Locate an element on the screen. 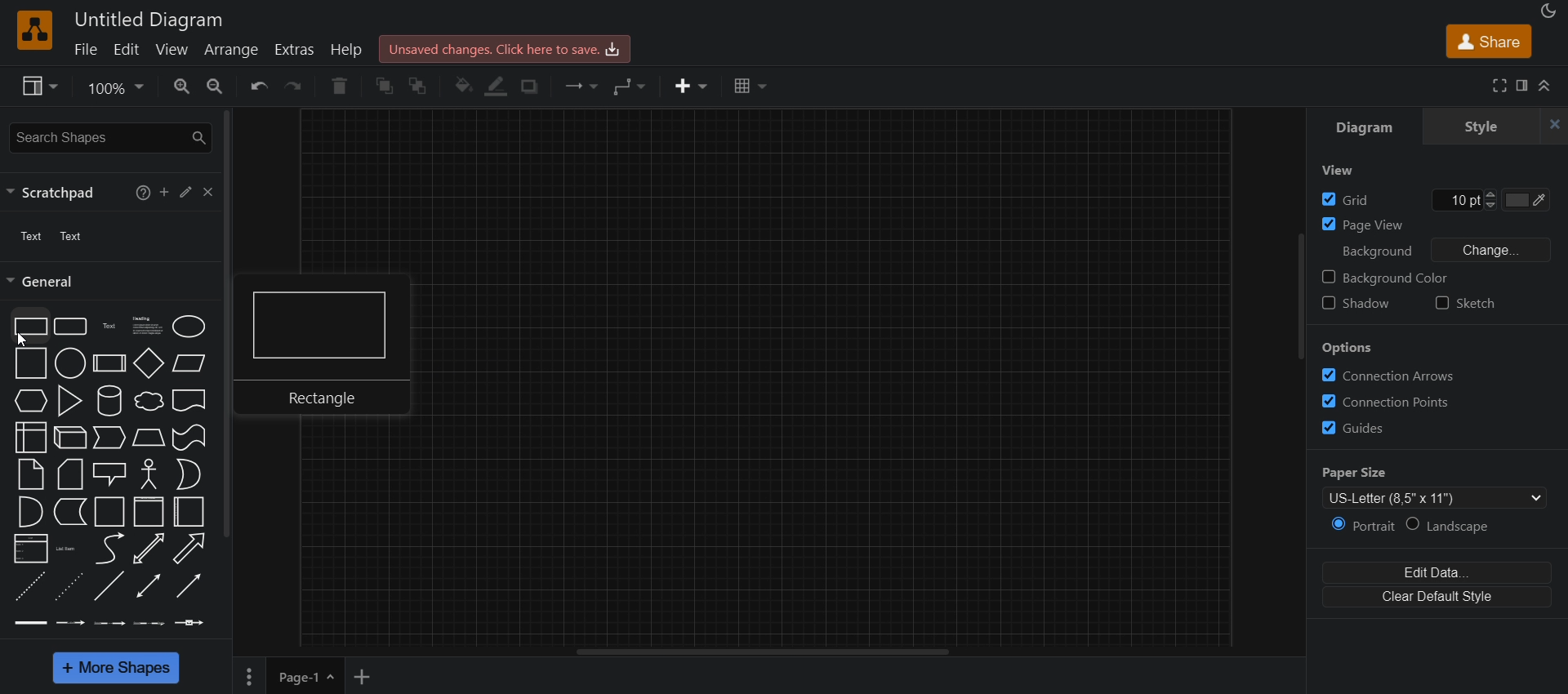 The image size is (1568, 694). vertical scroll bar is located at coordinates (233, 324).